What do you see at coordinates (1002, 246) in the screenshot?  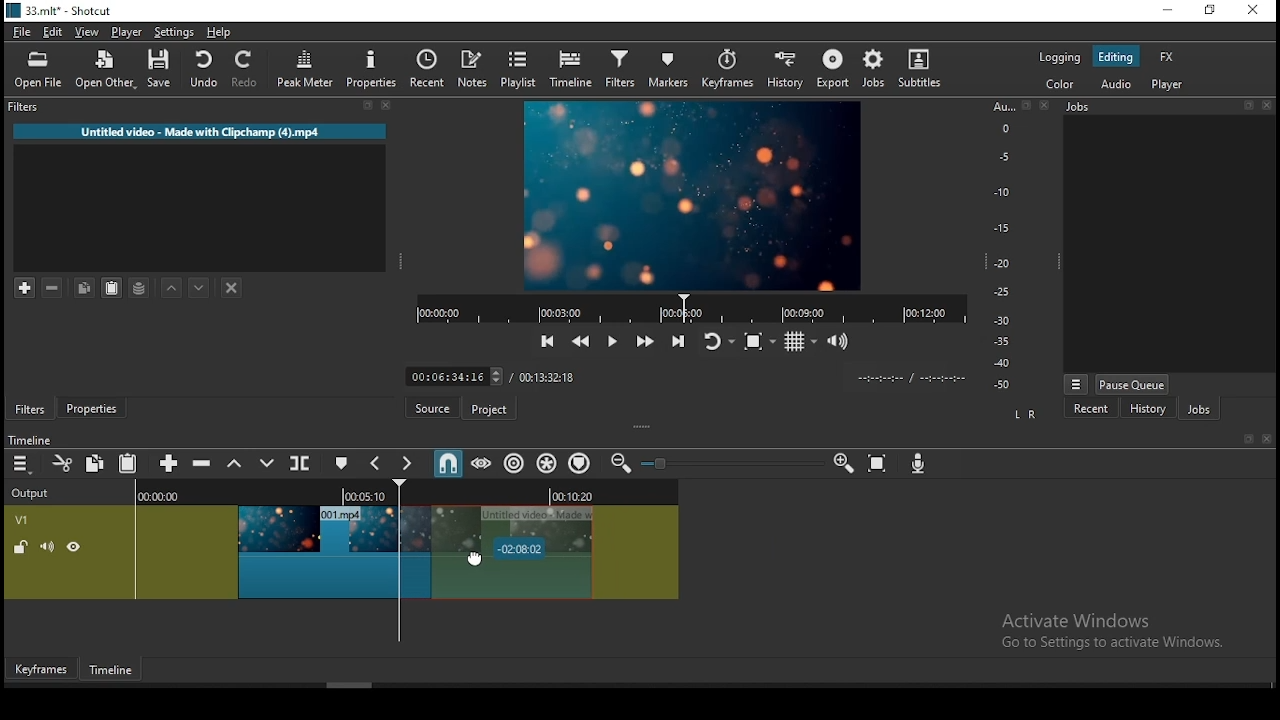 I see `audio bar` at bounding box center [1002, 246].